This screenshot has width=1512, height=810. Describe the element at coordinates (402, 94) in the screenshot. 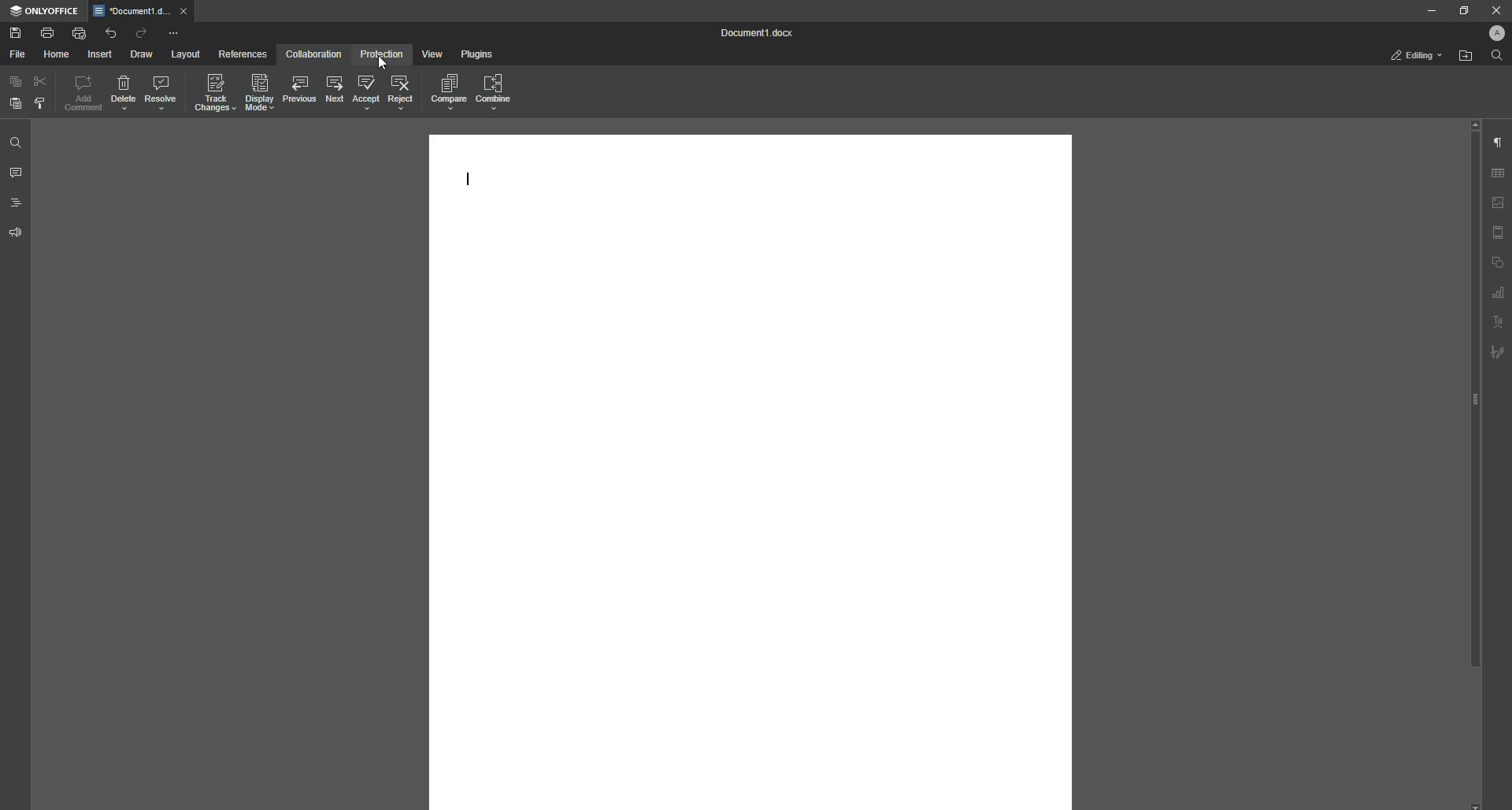

I see `Reject` at that location.